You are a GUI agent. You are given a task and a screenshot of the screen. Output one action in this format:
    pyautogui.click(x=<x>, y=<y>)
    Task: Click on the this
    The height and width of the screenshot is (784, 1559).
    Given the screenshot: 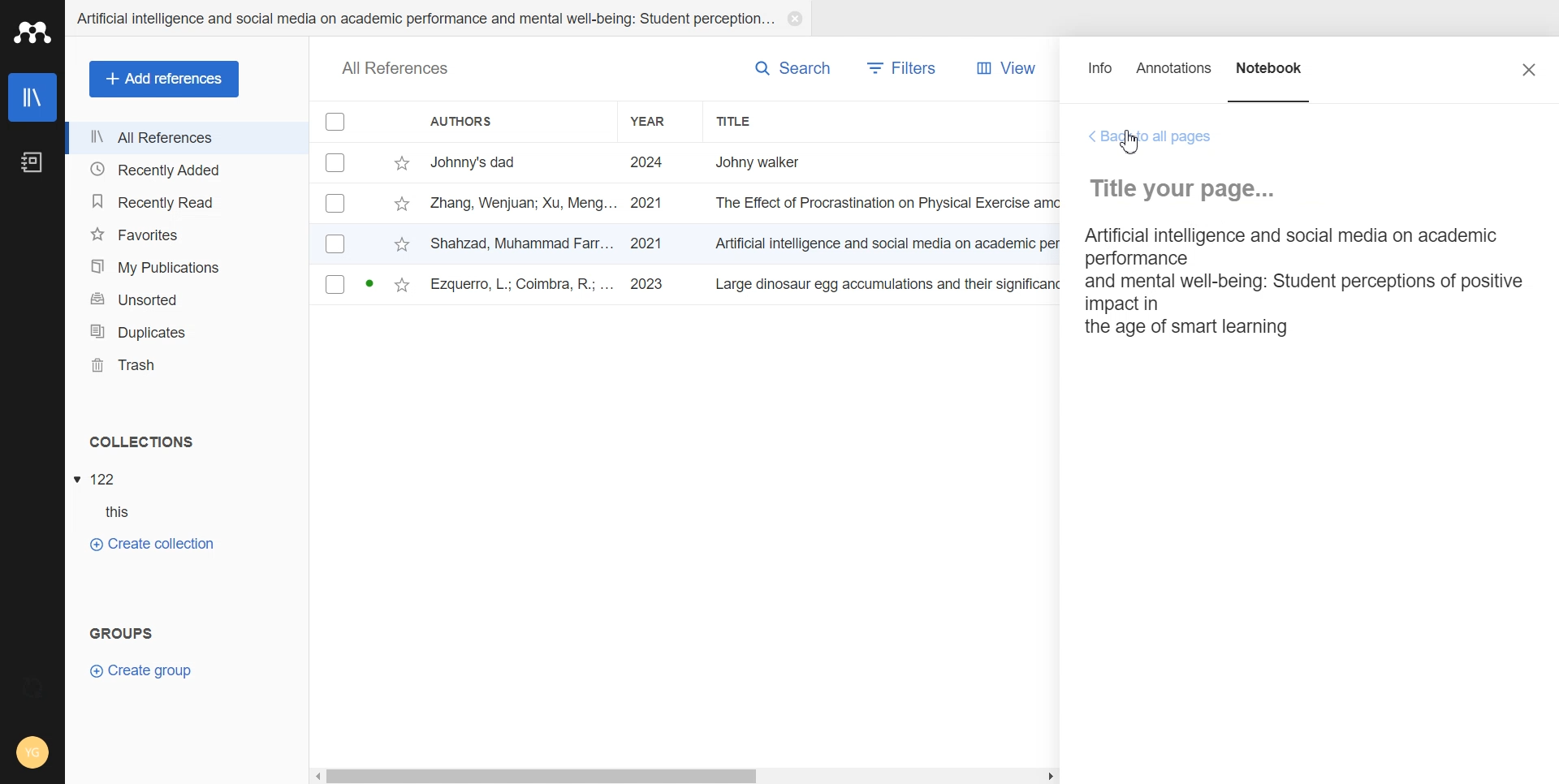 What is the action you would take?
    pyautogui.click(x=127, y=512)
    